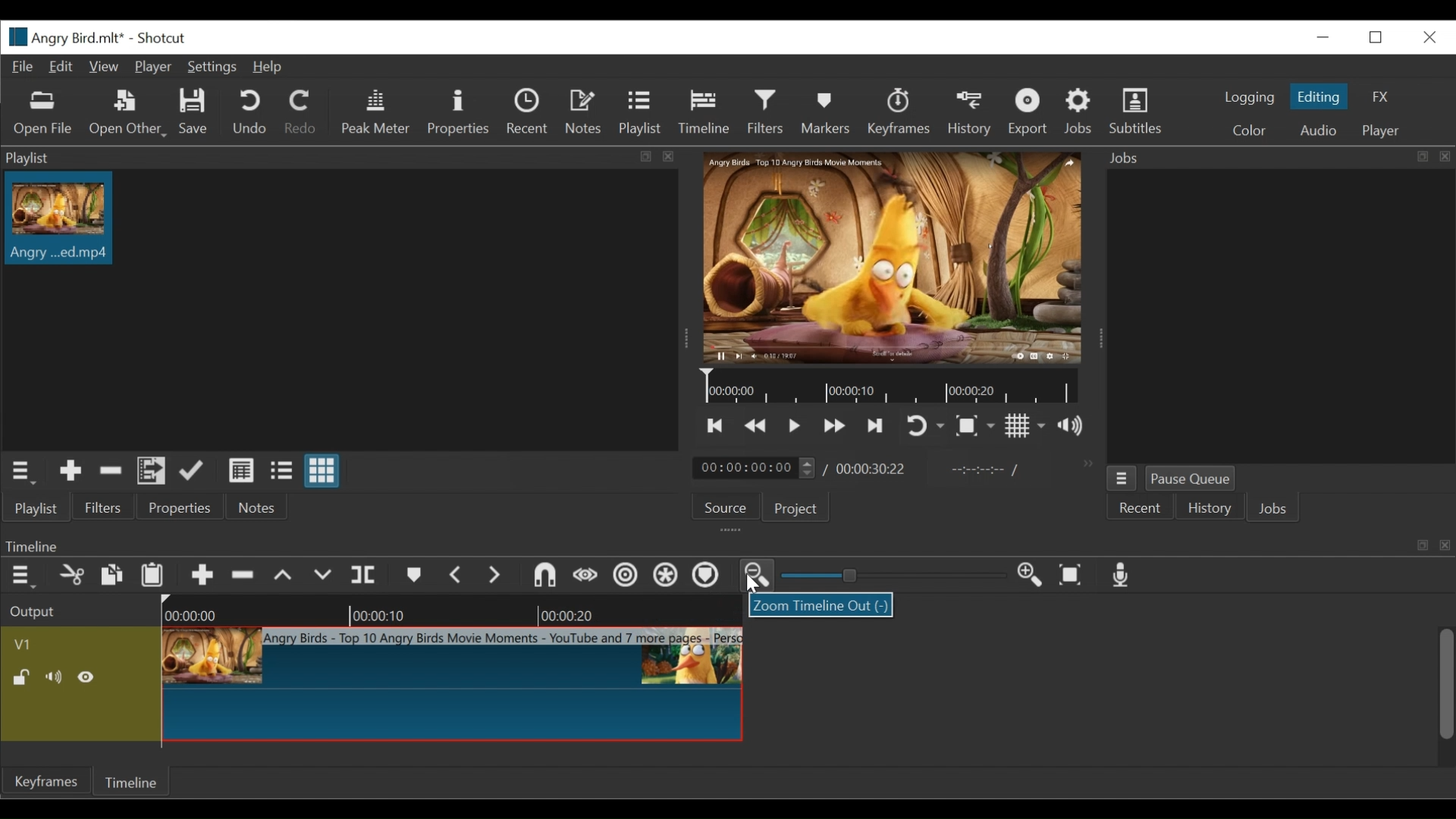 This screenshot has height=819, width=1456. What do you see at coordinates (367, 573) in the screenshot?
I see `split` at bounding box center [367, 573].